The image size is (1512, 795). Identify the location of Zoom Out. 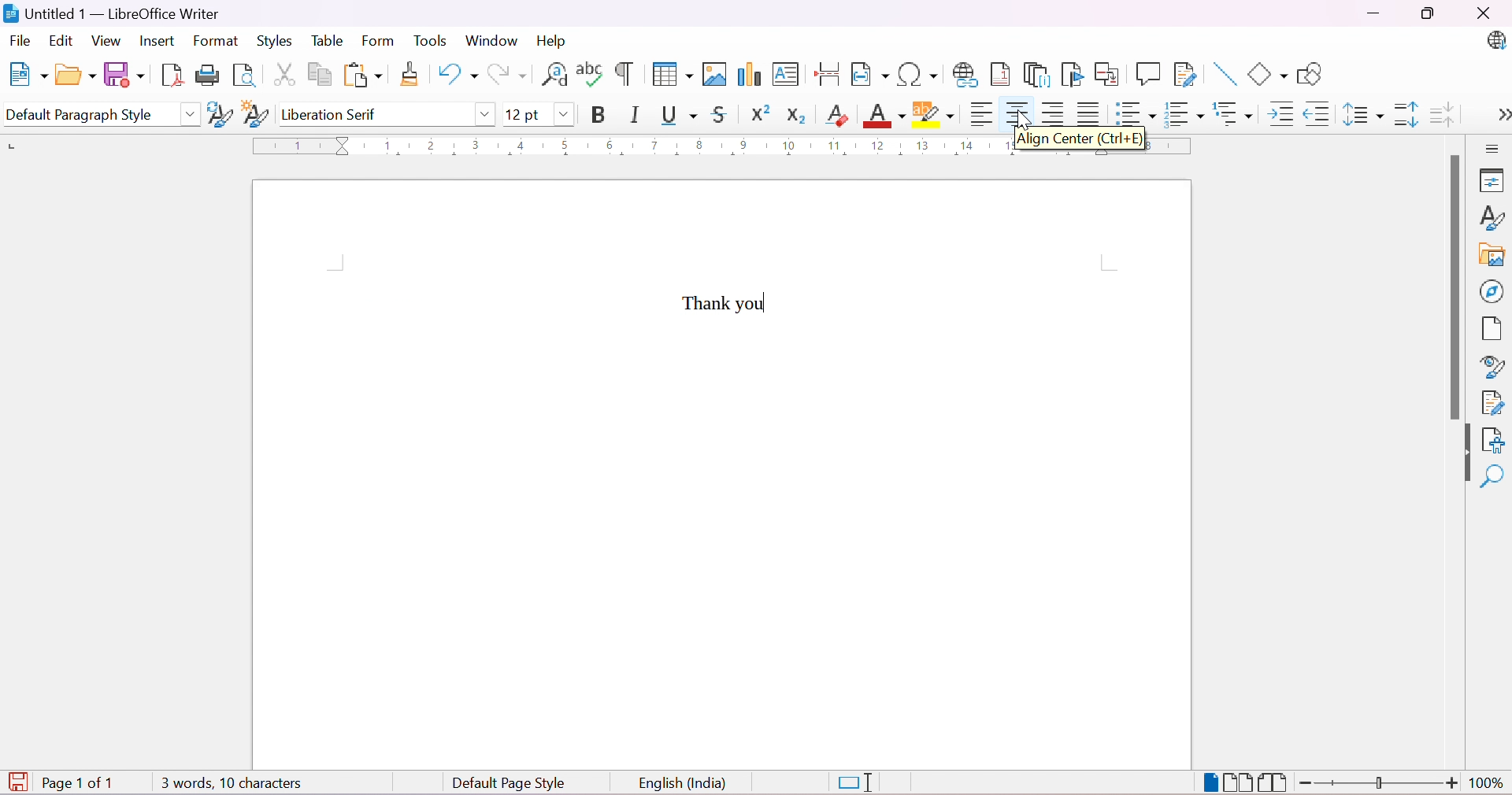
(1306, 783).